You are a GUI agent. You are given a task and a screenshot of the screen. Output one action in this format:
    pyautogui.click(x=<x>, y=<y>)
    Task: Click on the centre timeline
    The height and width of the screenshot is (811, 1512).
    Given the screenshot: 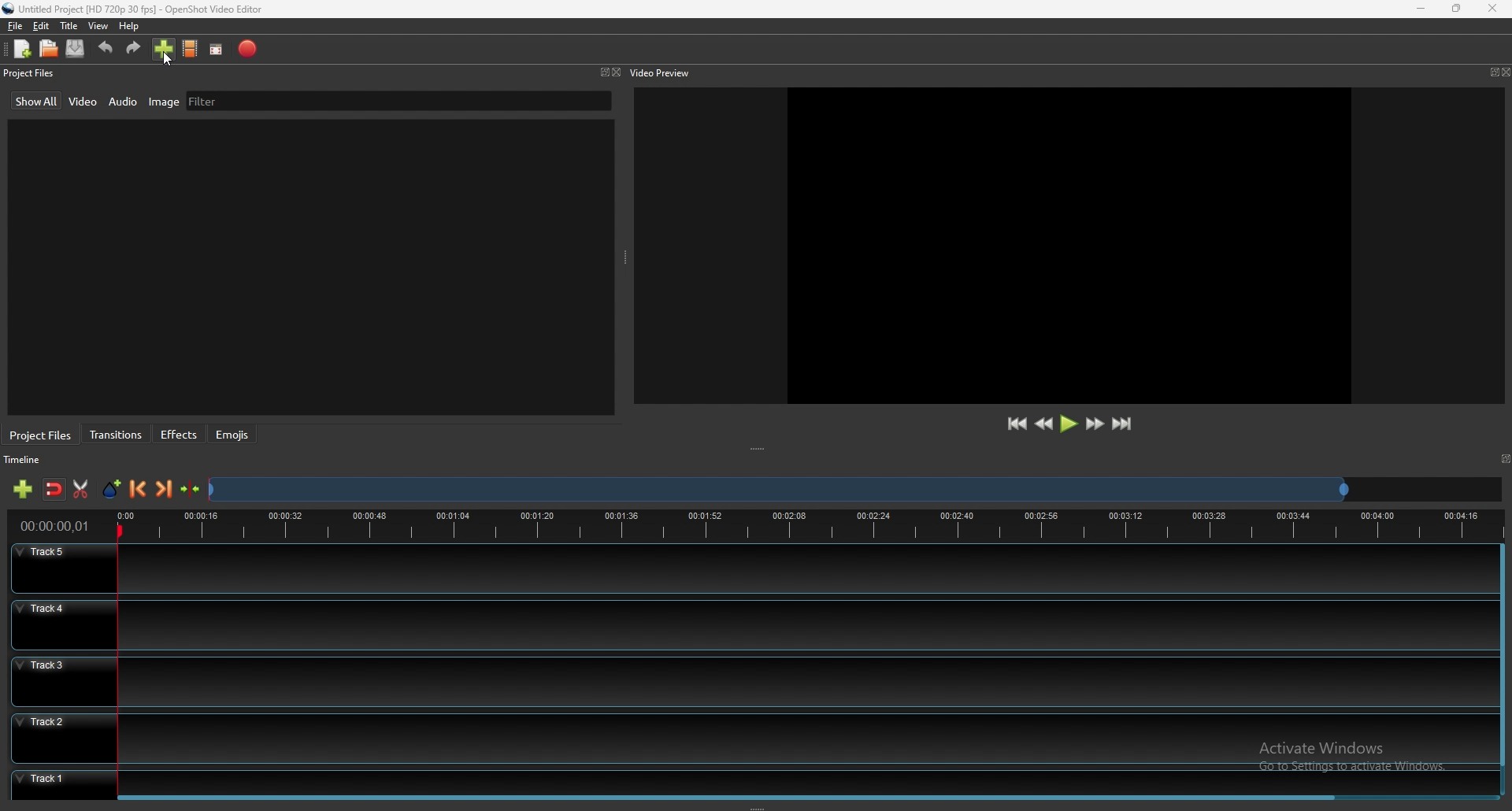 What is the action you would take?
    pyautogui.click(x=191, y=489)
    